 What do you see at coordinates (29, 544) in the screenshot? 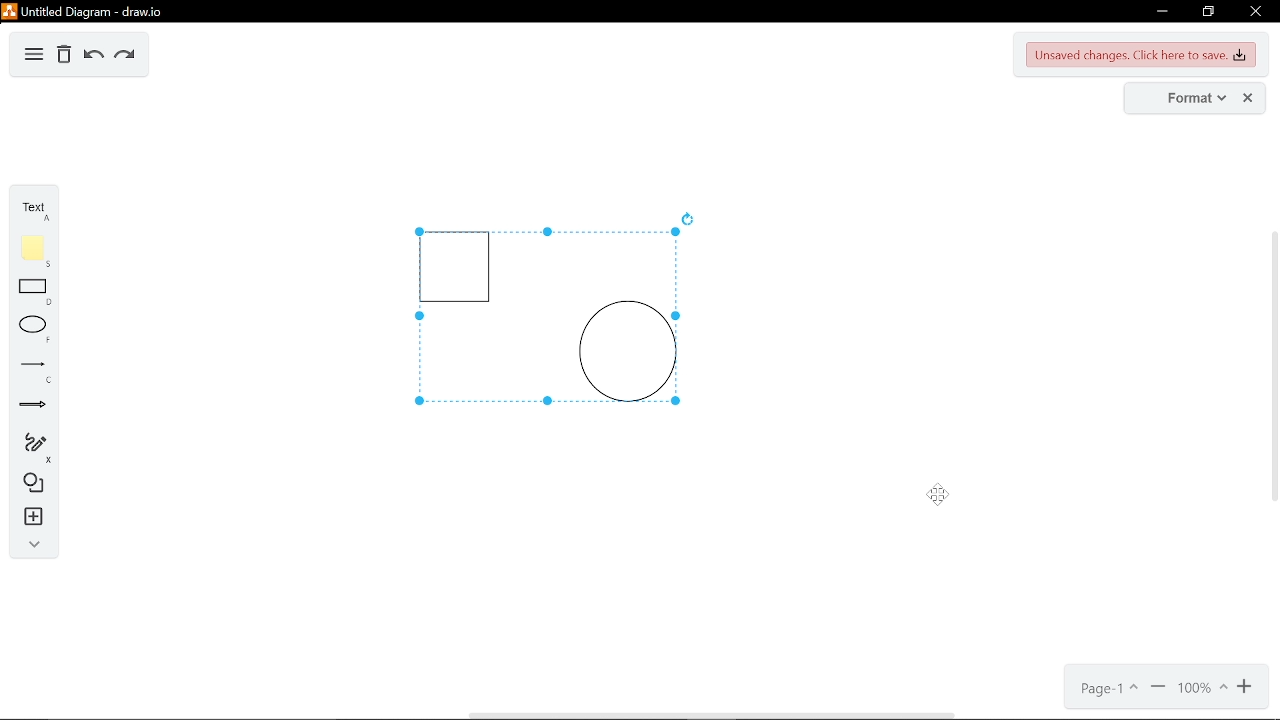
I see `collapse` at bounding box center [29, 544].